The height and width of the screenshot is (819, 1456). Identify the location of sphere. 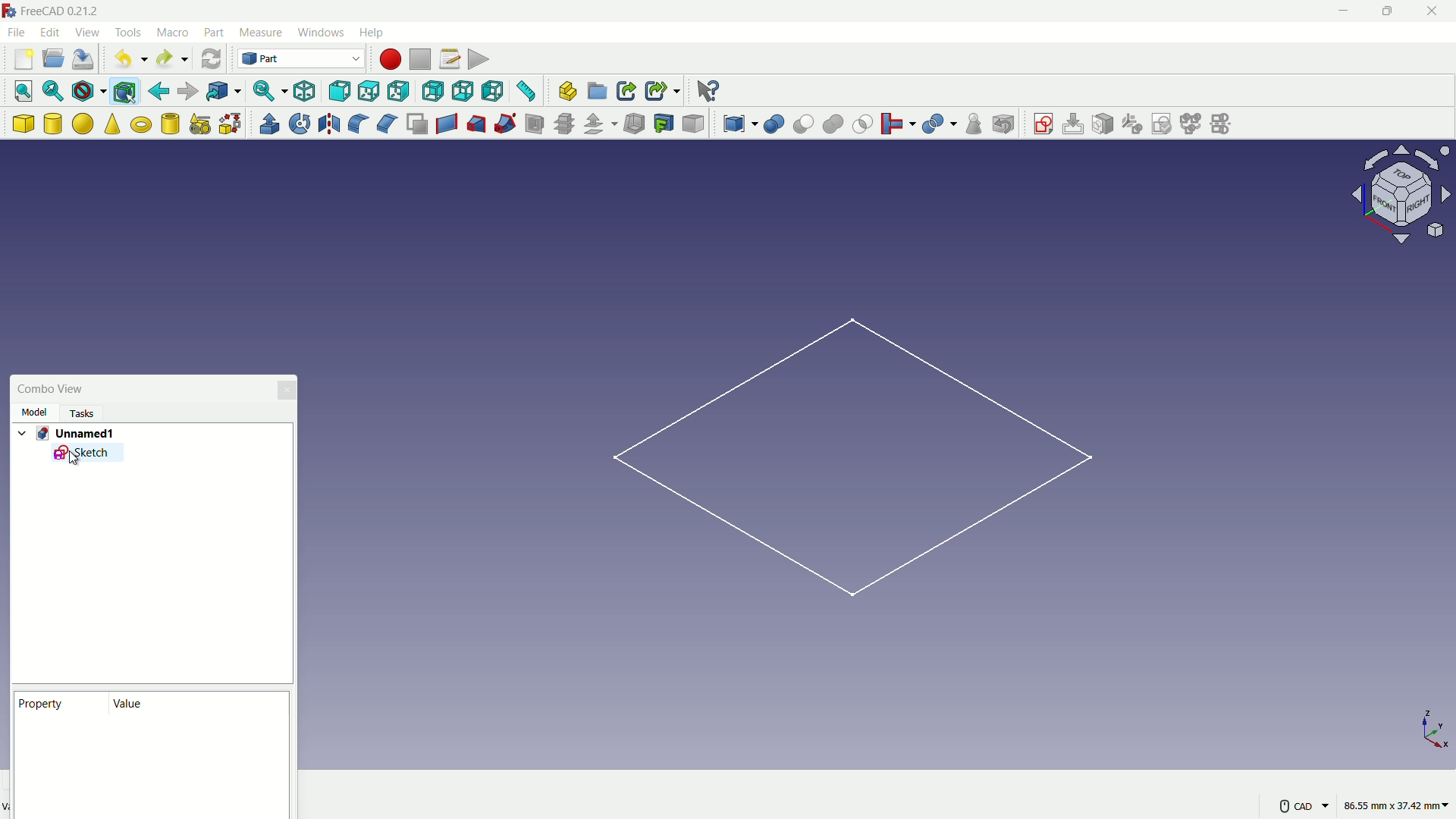
(83, 123).